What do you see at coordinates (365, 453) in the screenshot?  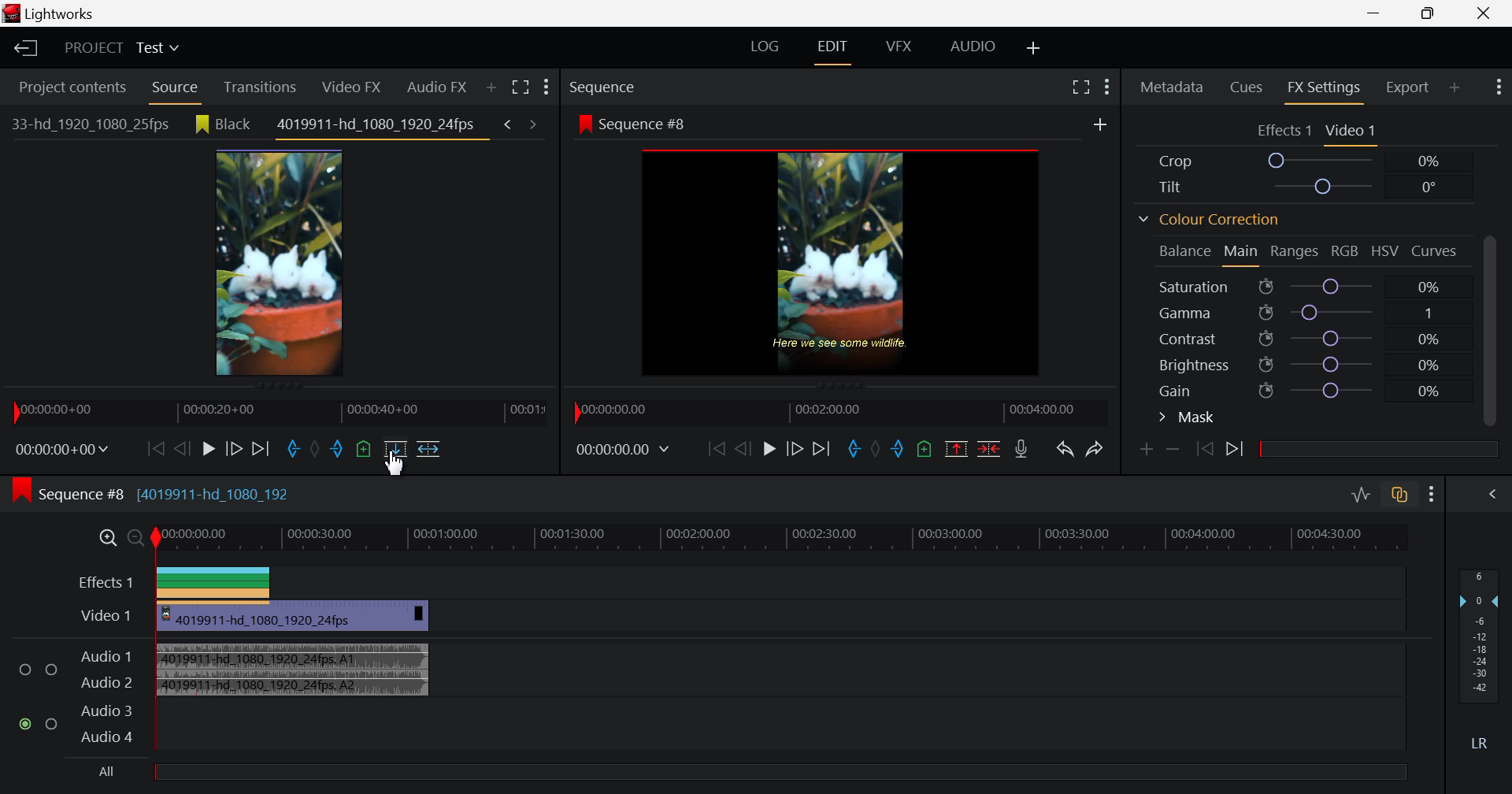 I see `Mark Cue` at bounding box center [365, 453].